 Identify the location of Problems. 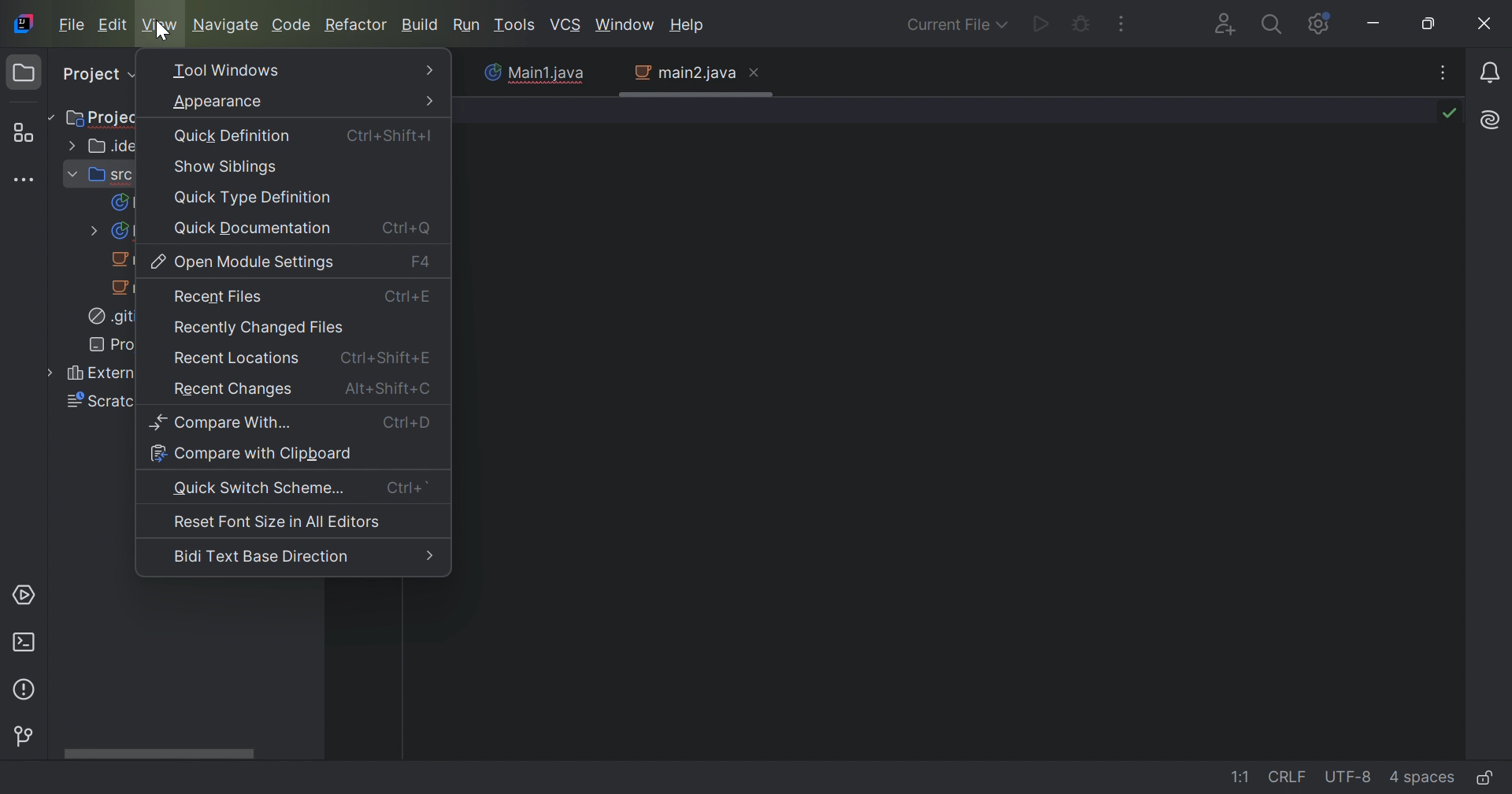
(29, 691).